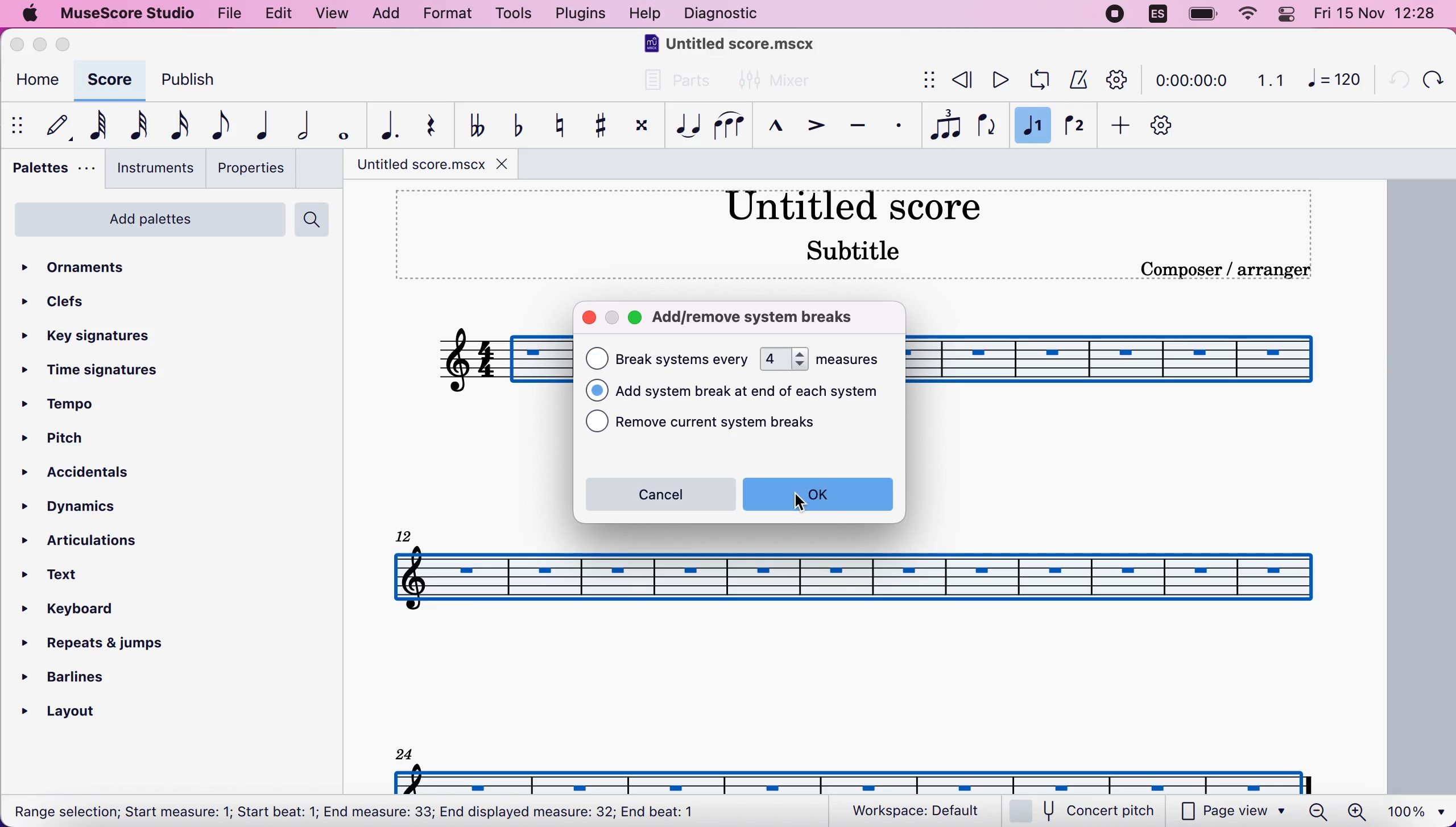 Image resolution: width=1456 pixels, height=827 pixels. I want to click on redo, so click(1432, 79).